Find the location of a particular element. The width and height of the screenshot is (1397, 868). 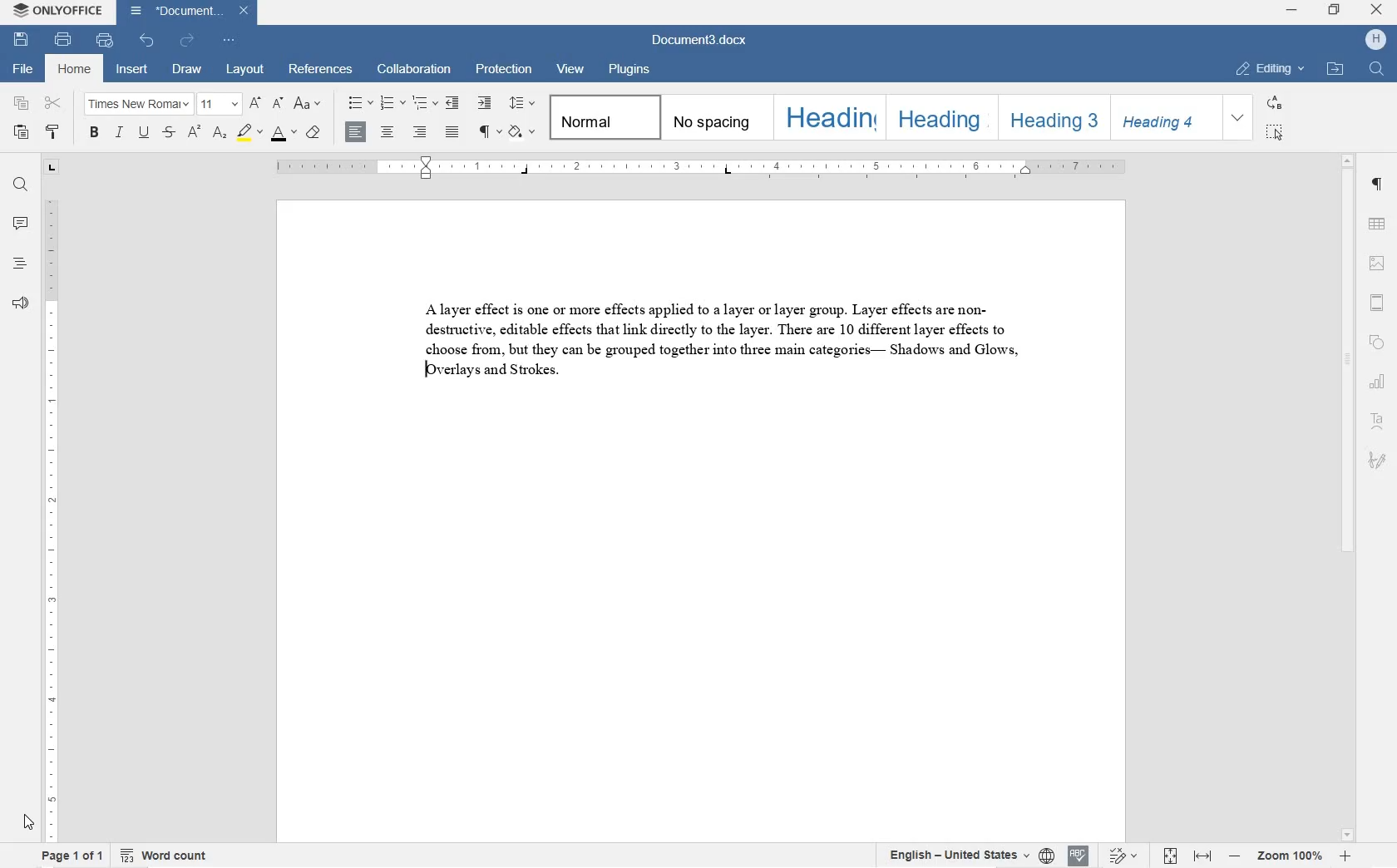

Document3.docx is located at coordinates (188, 12).